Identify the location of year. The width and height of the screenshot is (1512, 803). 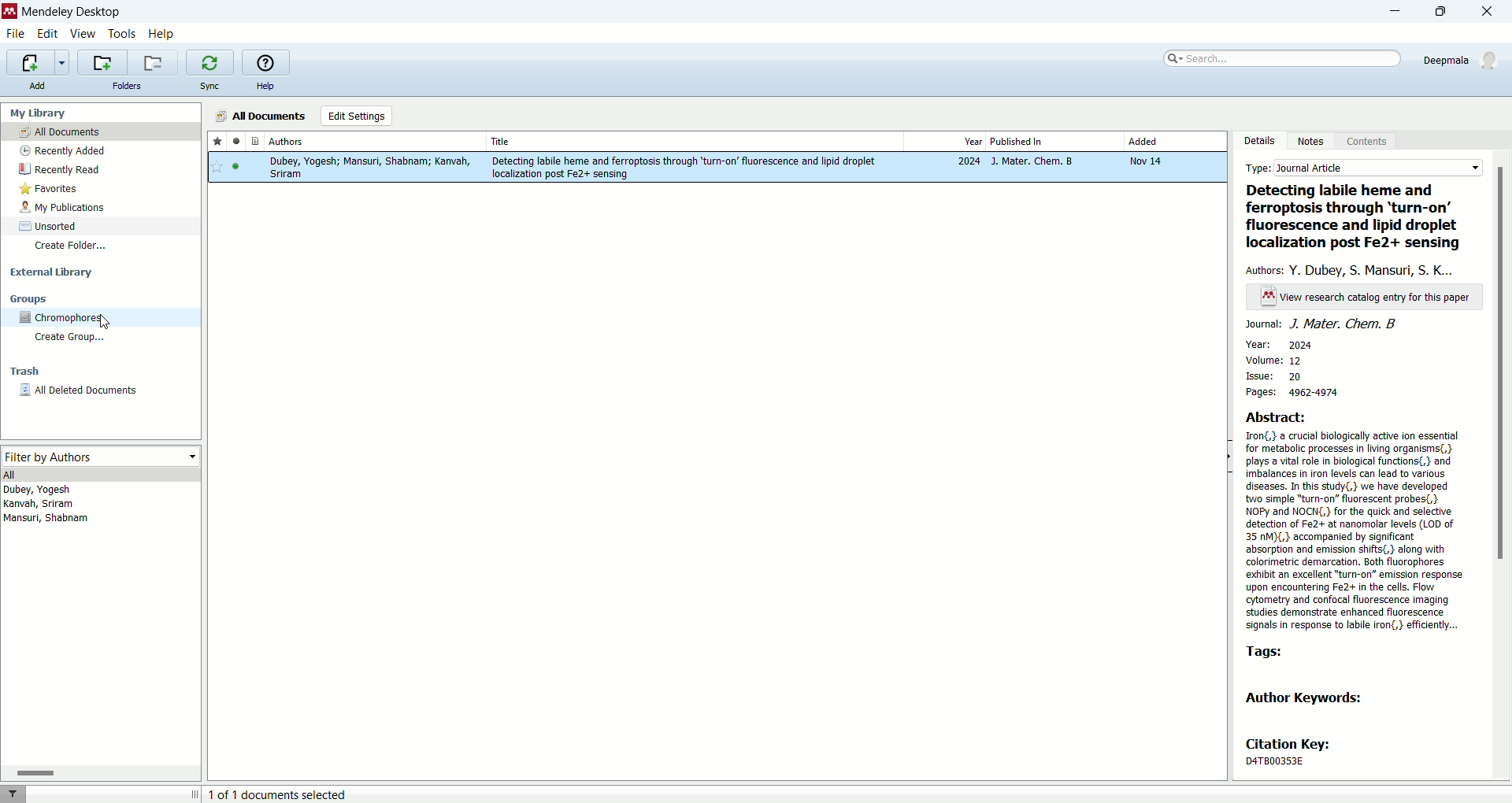
(943, 141).